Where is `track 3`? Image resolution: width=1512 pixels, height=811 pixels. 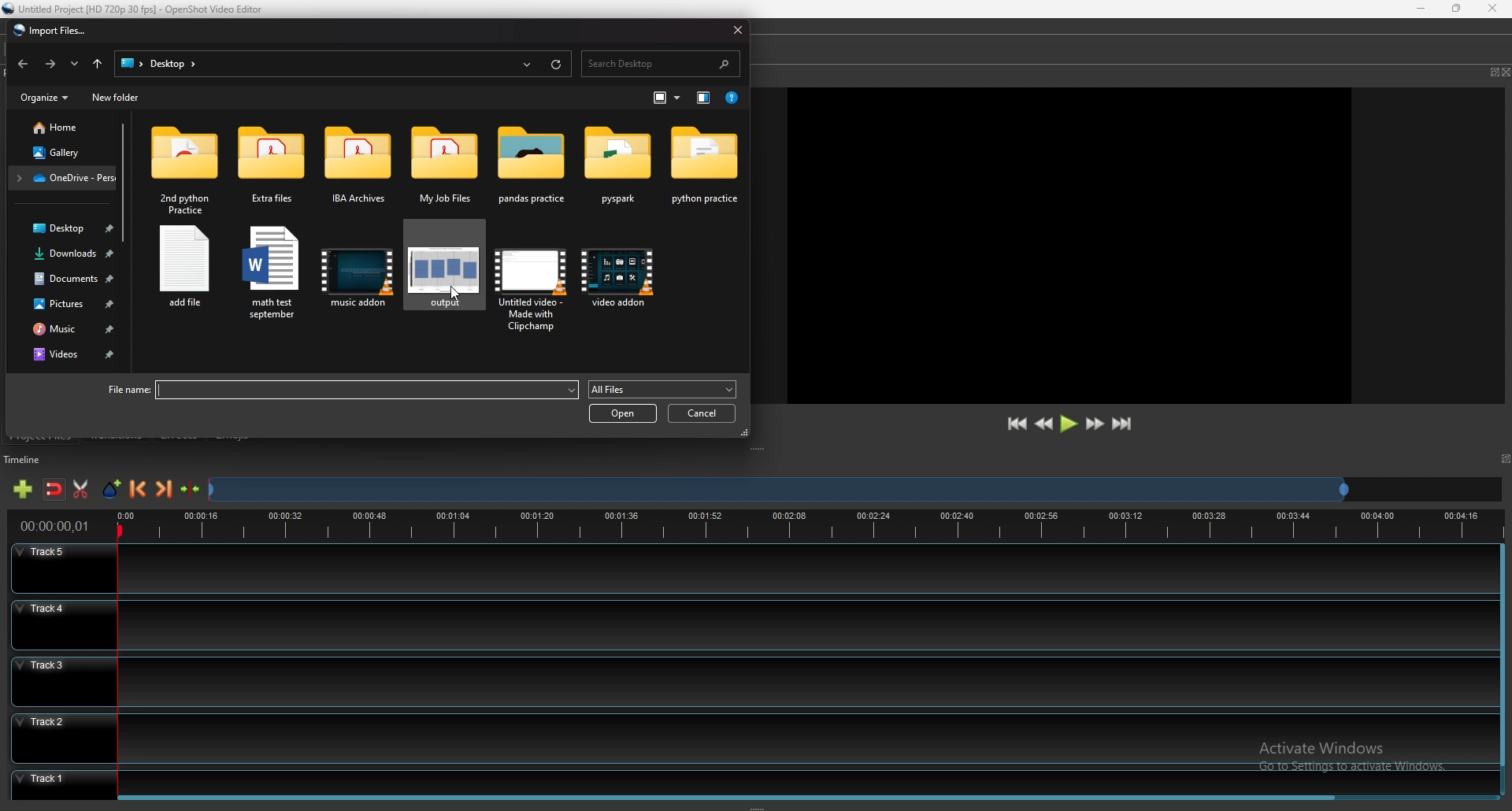 track 3 is located at coordinates (747, 680).